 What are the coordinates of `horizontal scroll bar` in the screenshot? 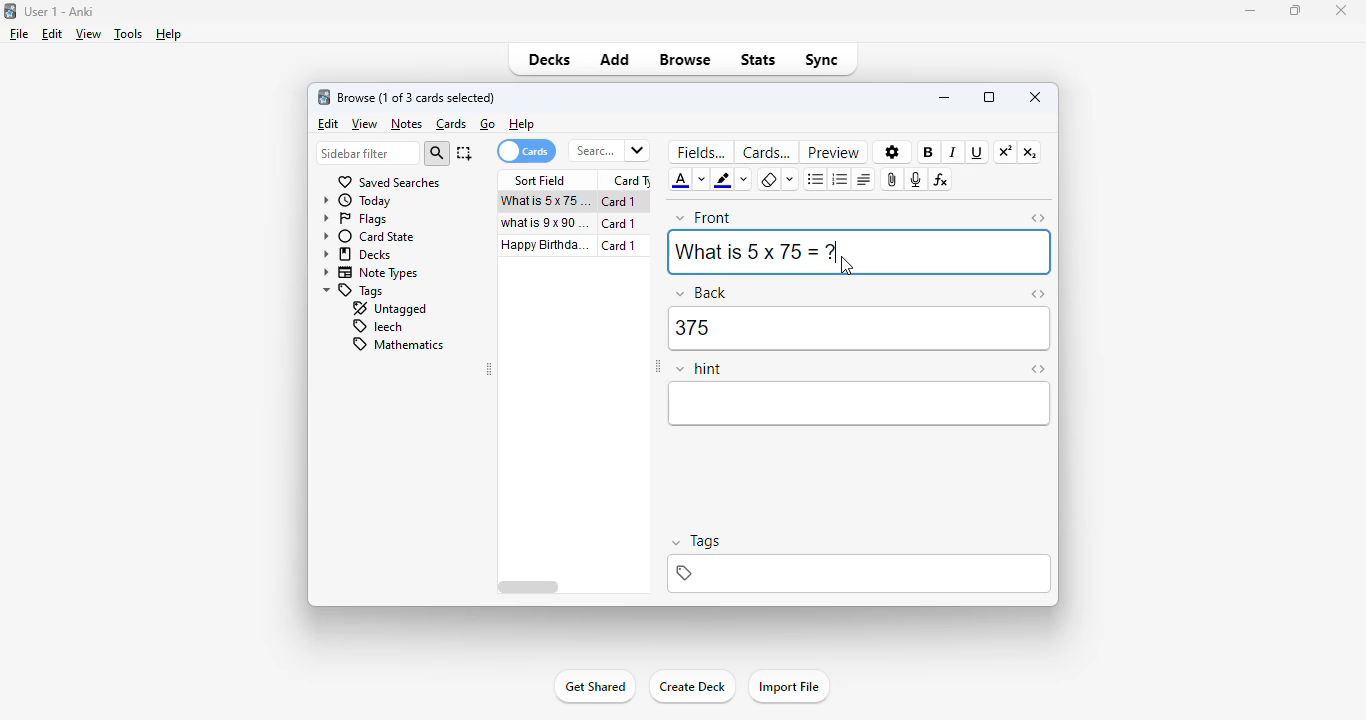 It's located at (529, 587).